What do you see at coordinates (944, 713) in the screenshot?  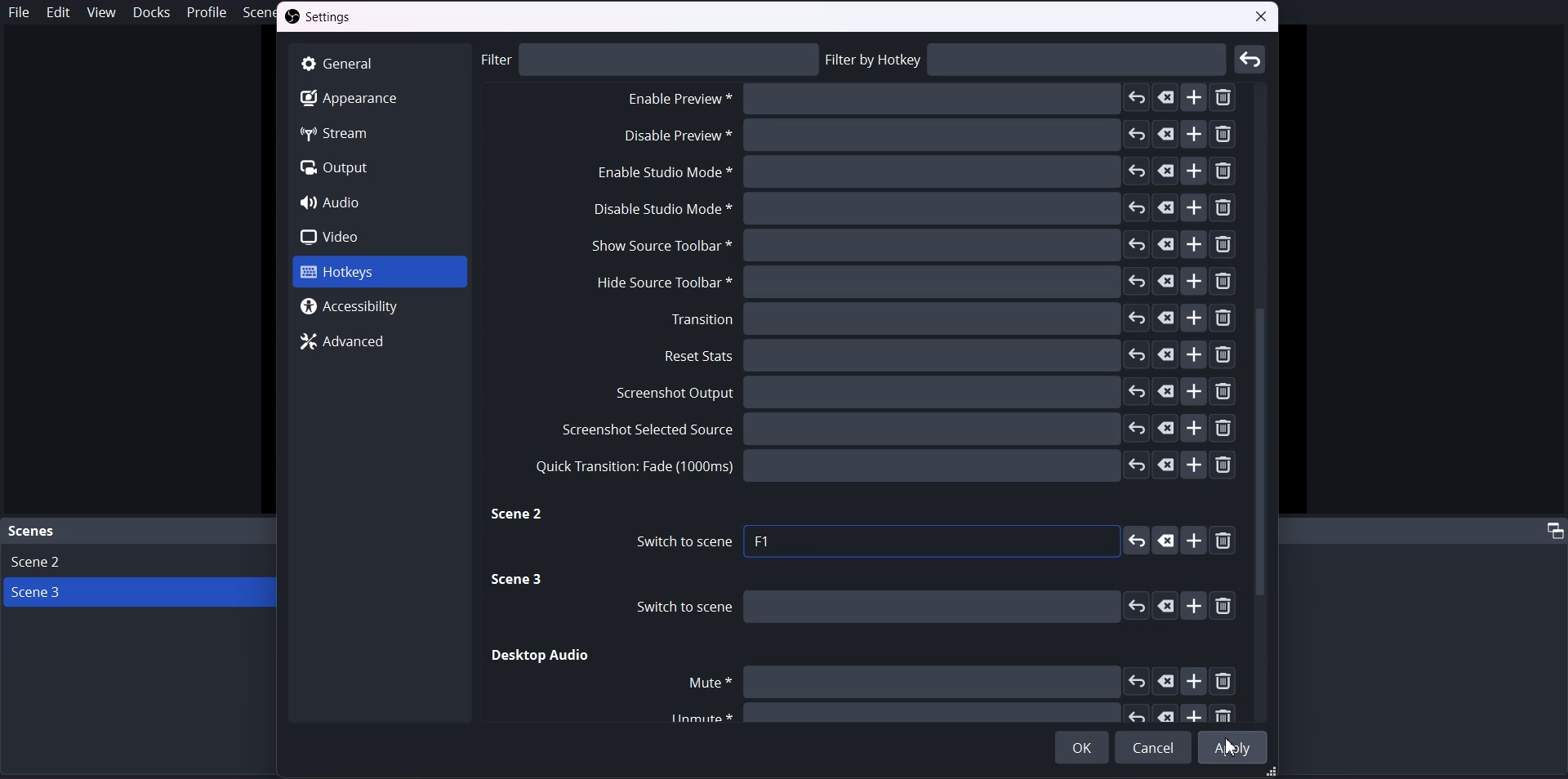 I see `Unmute` at bounding box center [944, 713].